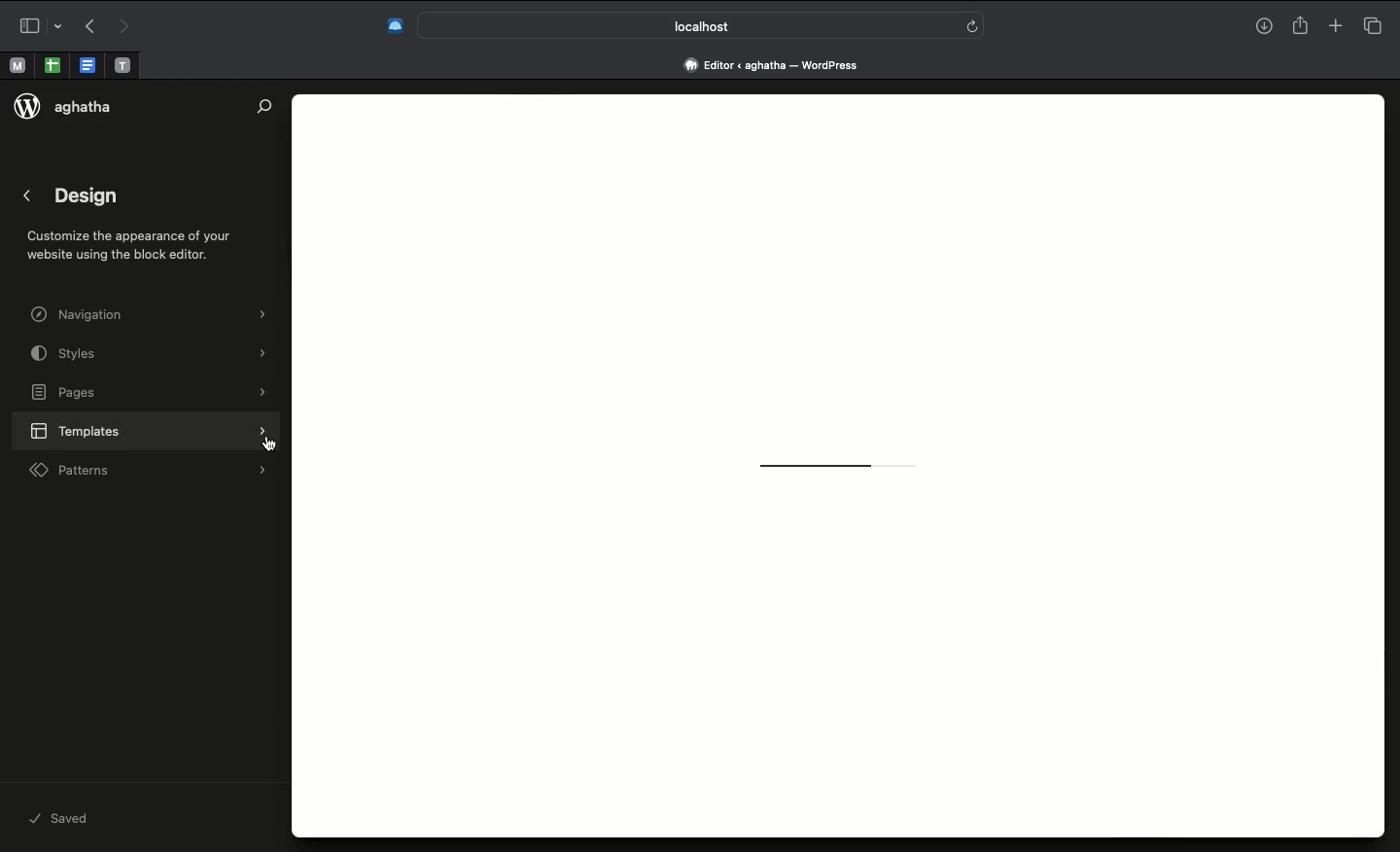 This screenshot has width=1400, height=852. Describe the element at coordinates (1261, 27) in the screenshot. I see `Download` at that location.